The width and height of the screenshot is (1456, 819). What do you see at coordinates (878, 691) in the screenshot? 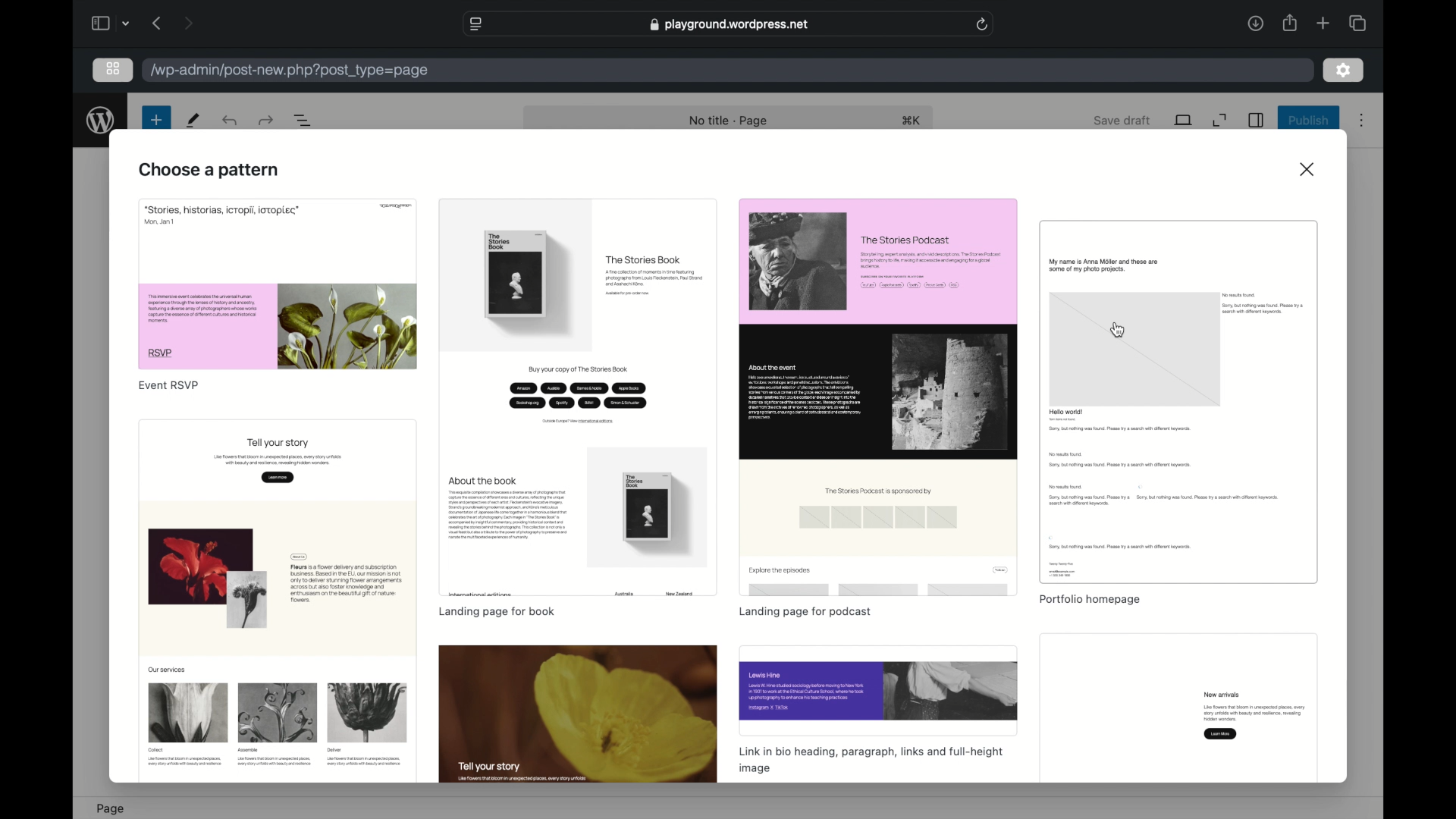
I see `preview` at bounding box center [878, 691].